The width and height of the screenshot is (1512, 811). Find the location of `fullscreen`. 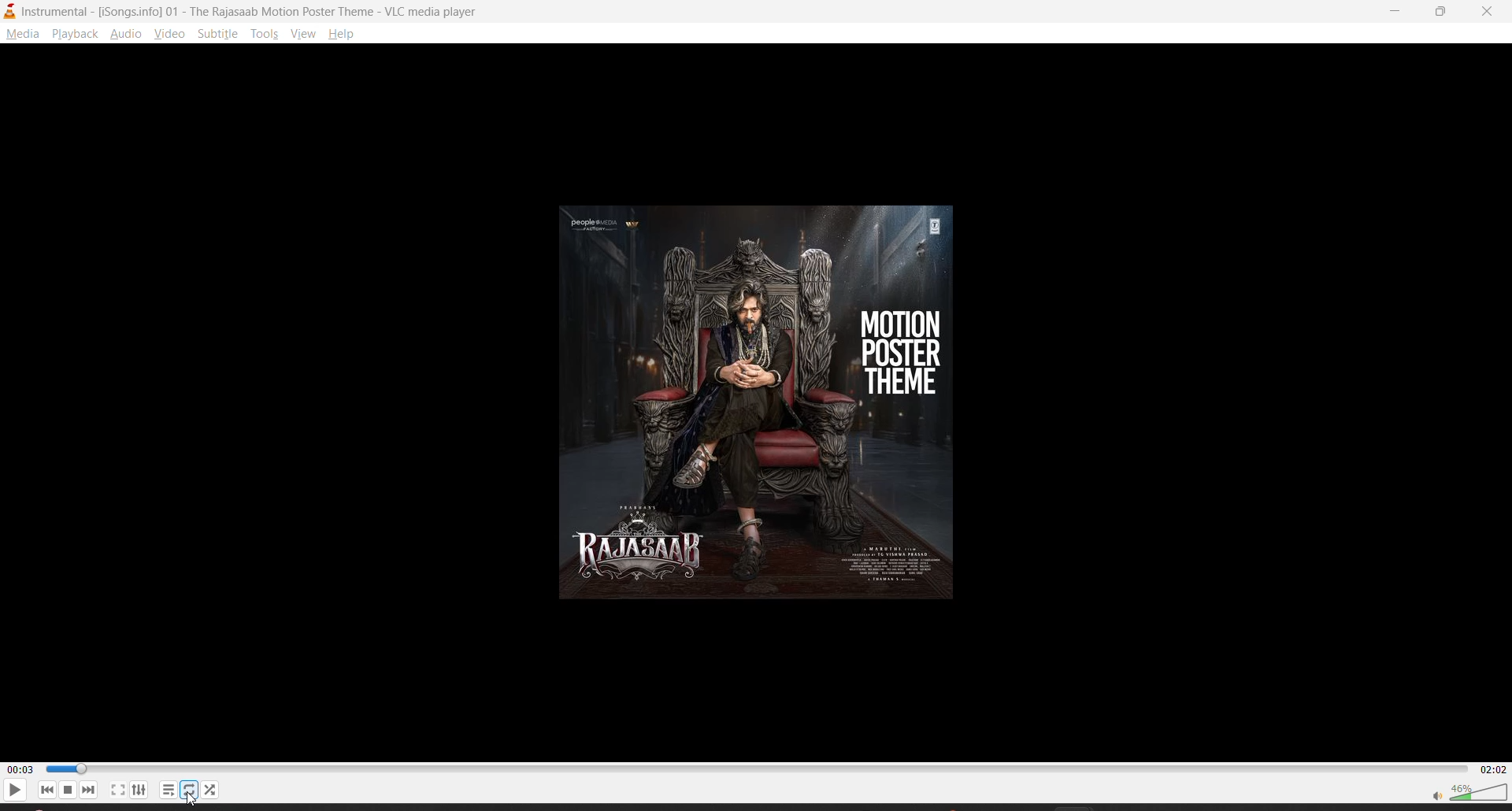

fullscreen is located at coordinates (118, 791).